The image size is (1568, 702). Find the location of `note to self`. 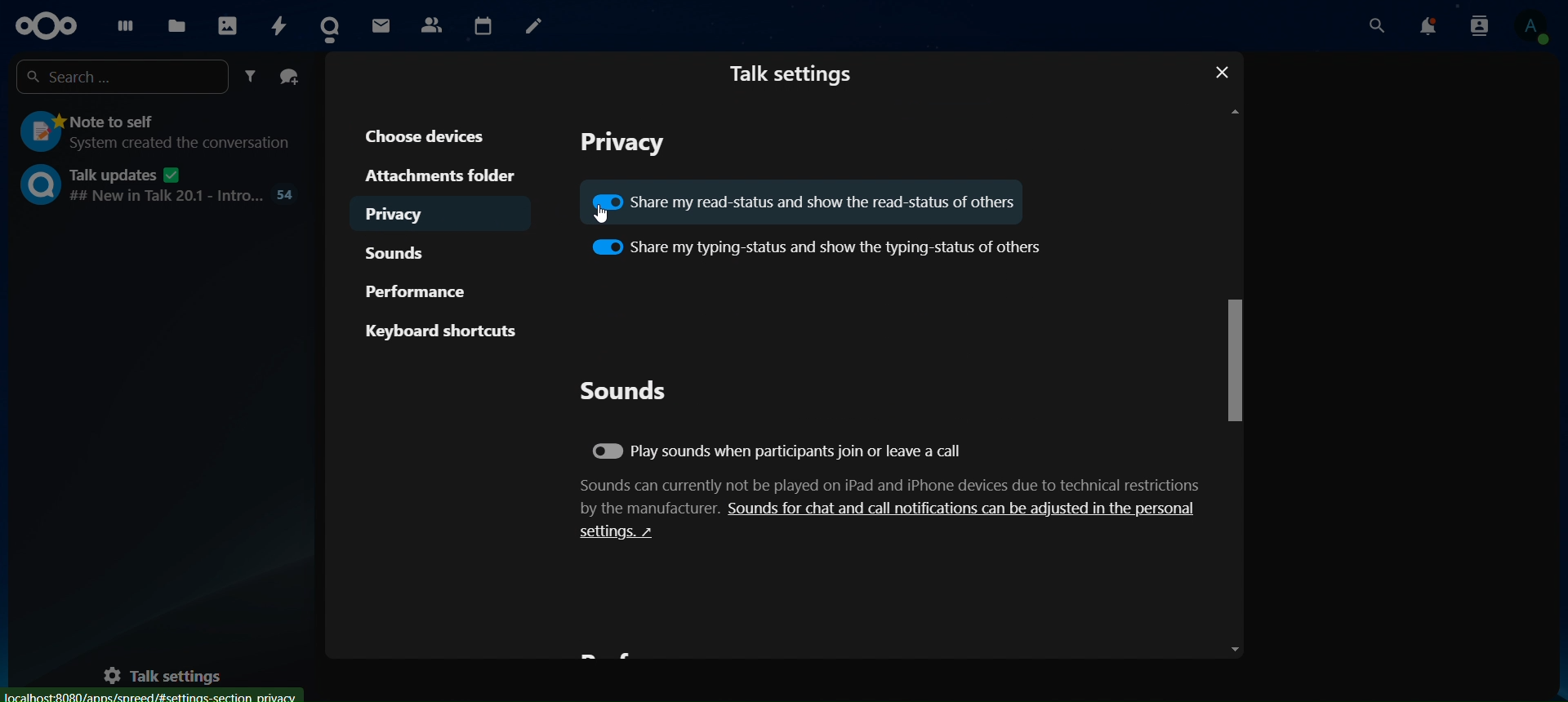

note to self is located at coordinates (154, 133).